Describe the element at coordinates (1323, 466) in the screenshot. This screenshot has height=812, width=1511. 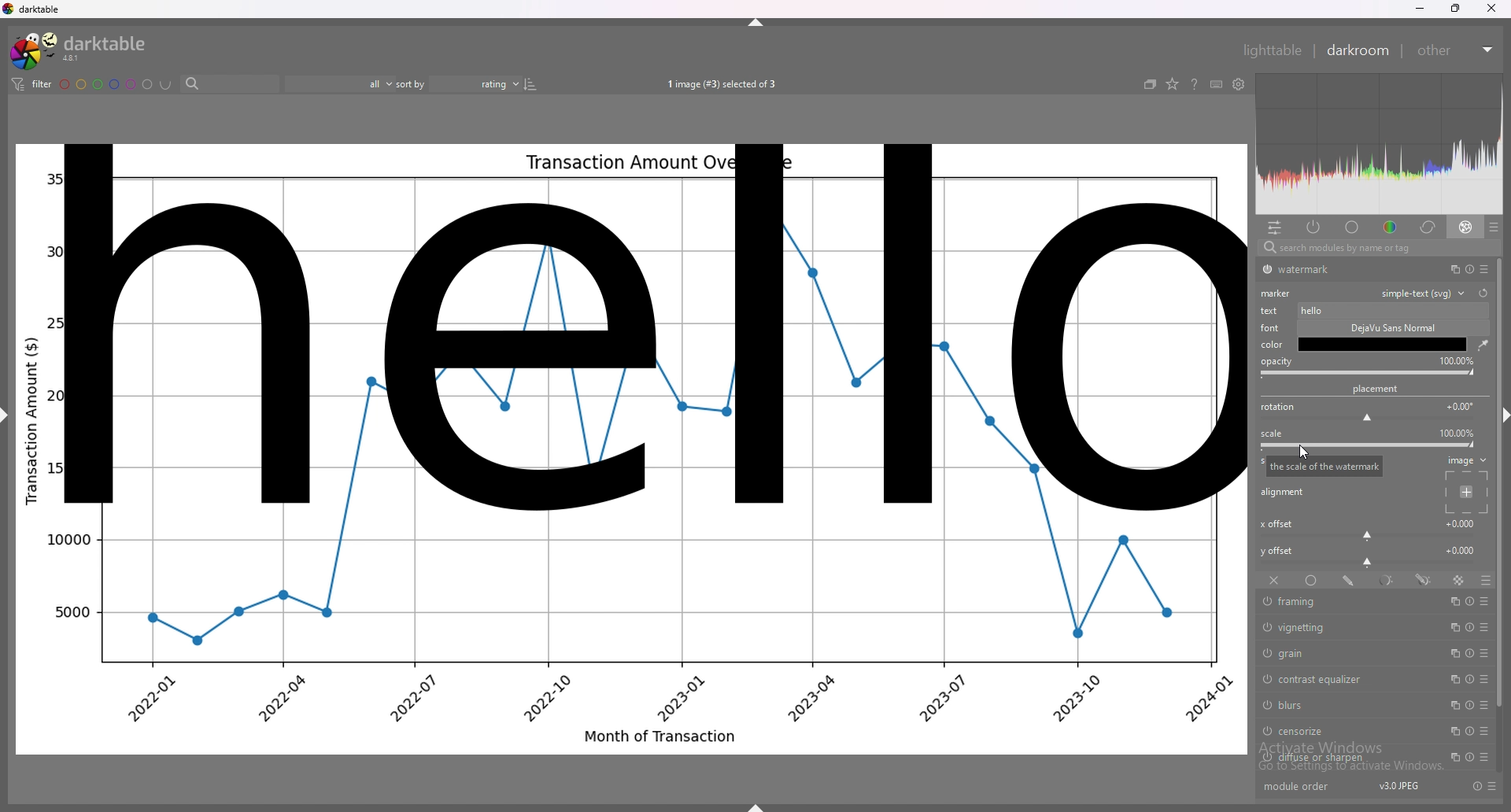
I see `scale watermark` at that location.